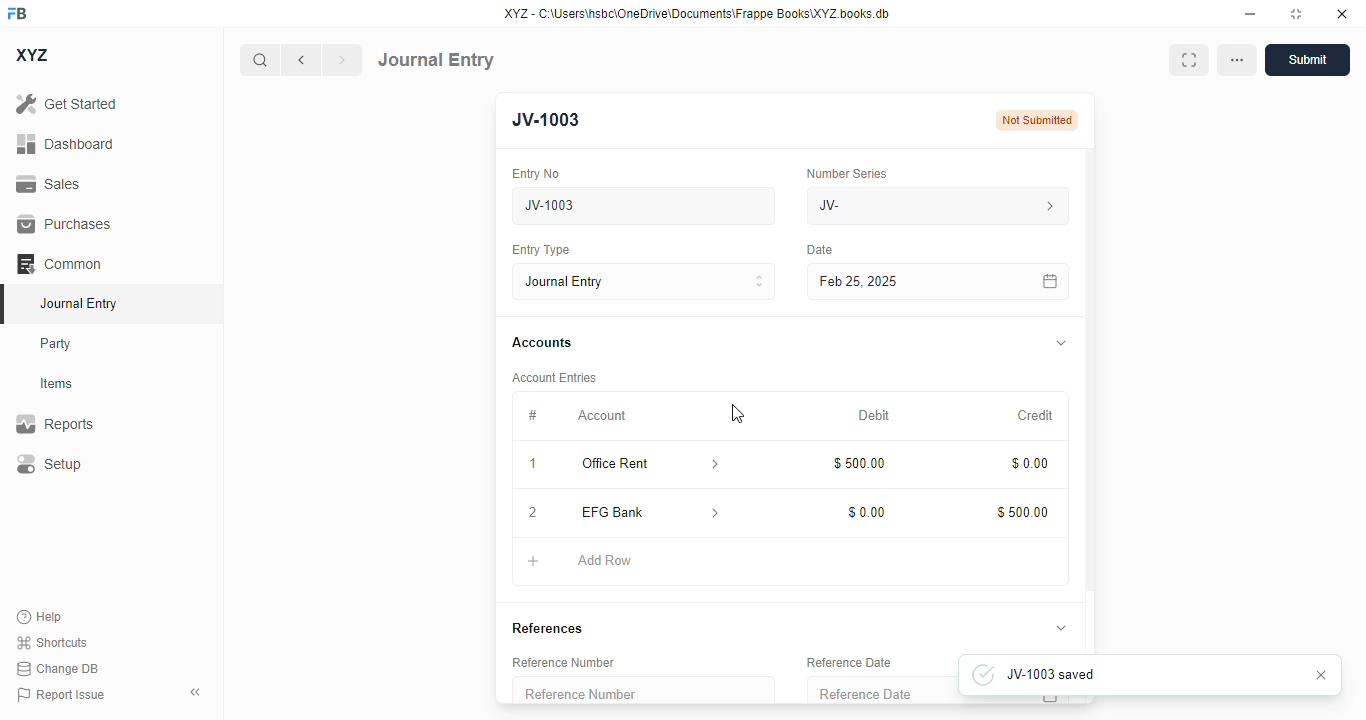 The width and height of the screenshot is (1366, 720). What do you see at coordinates (1062, 343) in the screenshot?
I see `toggle expand/collapse` at bounding box center [1062, 343].